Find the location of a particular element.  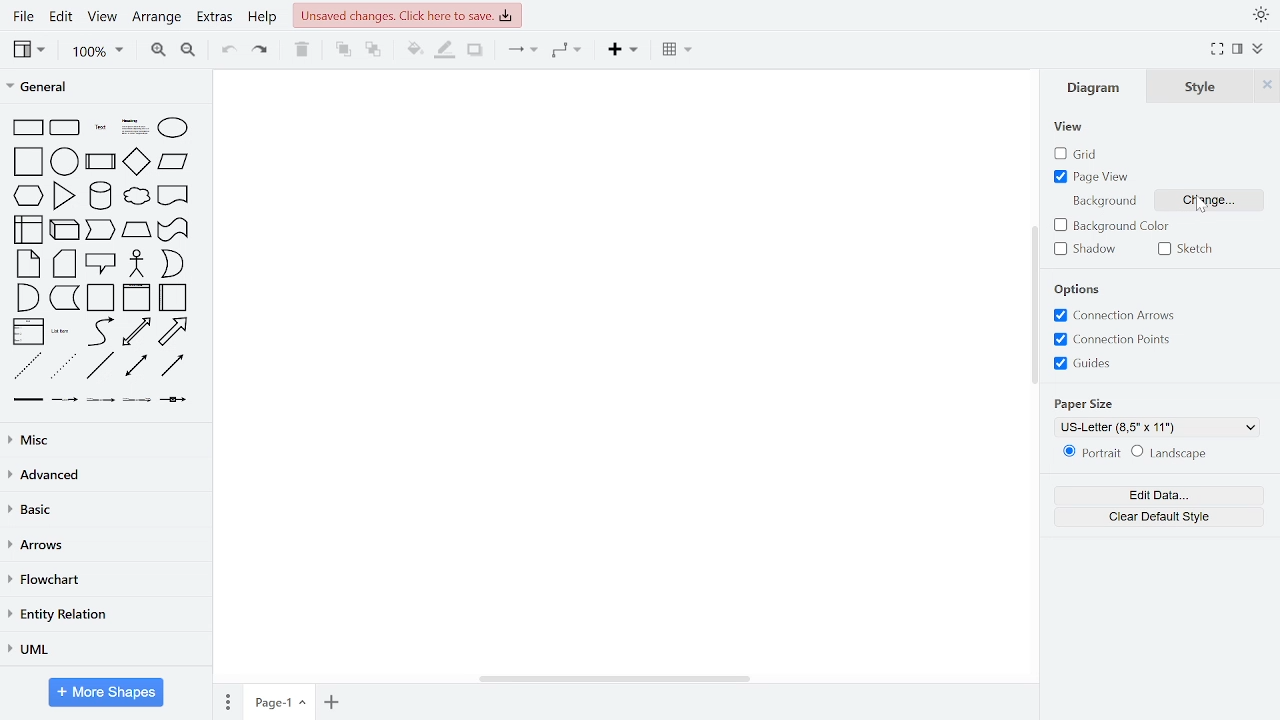

UML is located at coordinates (101, 649).